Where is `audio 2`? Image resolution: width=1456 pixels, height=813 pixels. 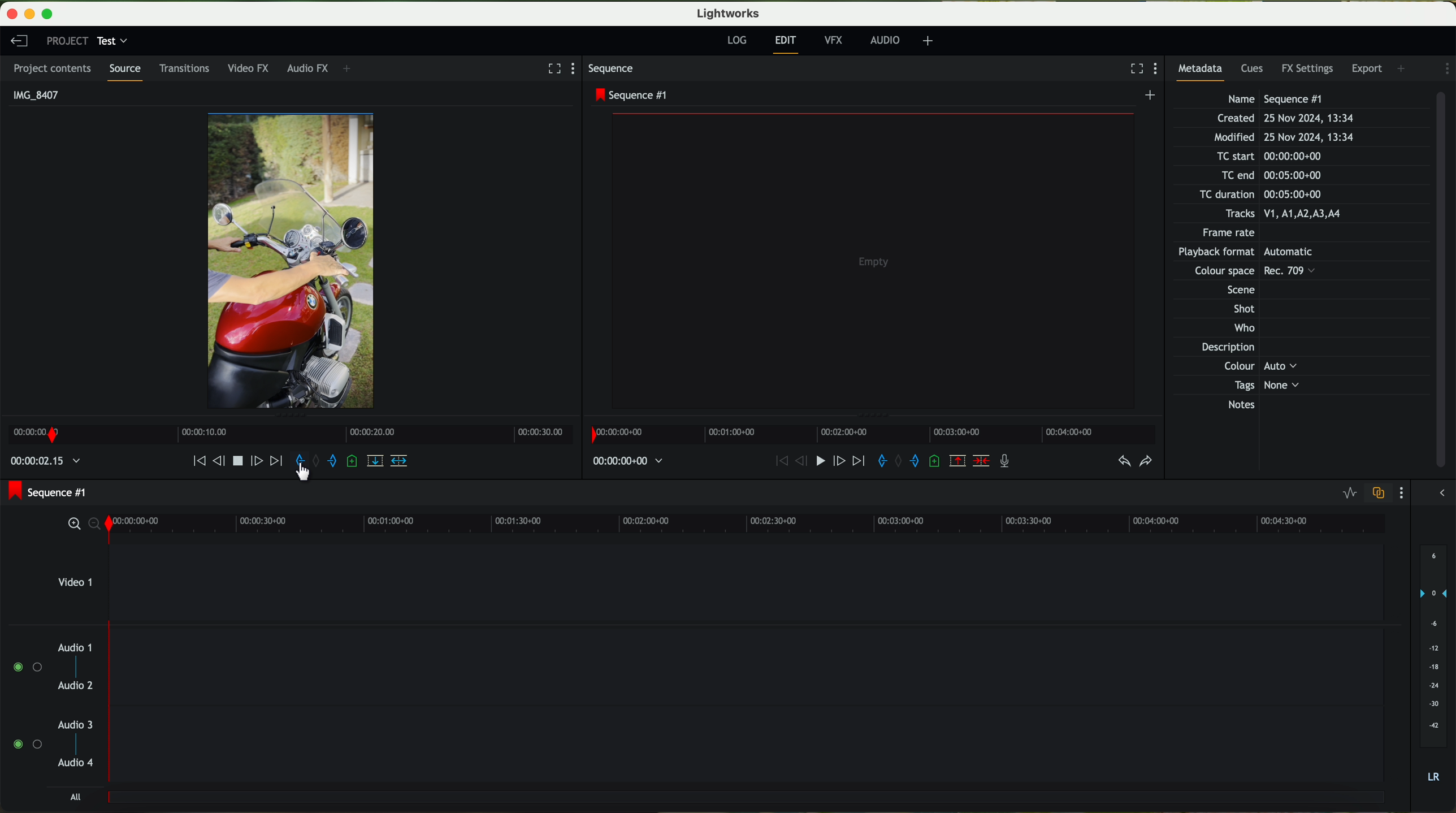 audio 2 is located at coordinates (76, 687).